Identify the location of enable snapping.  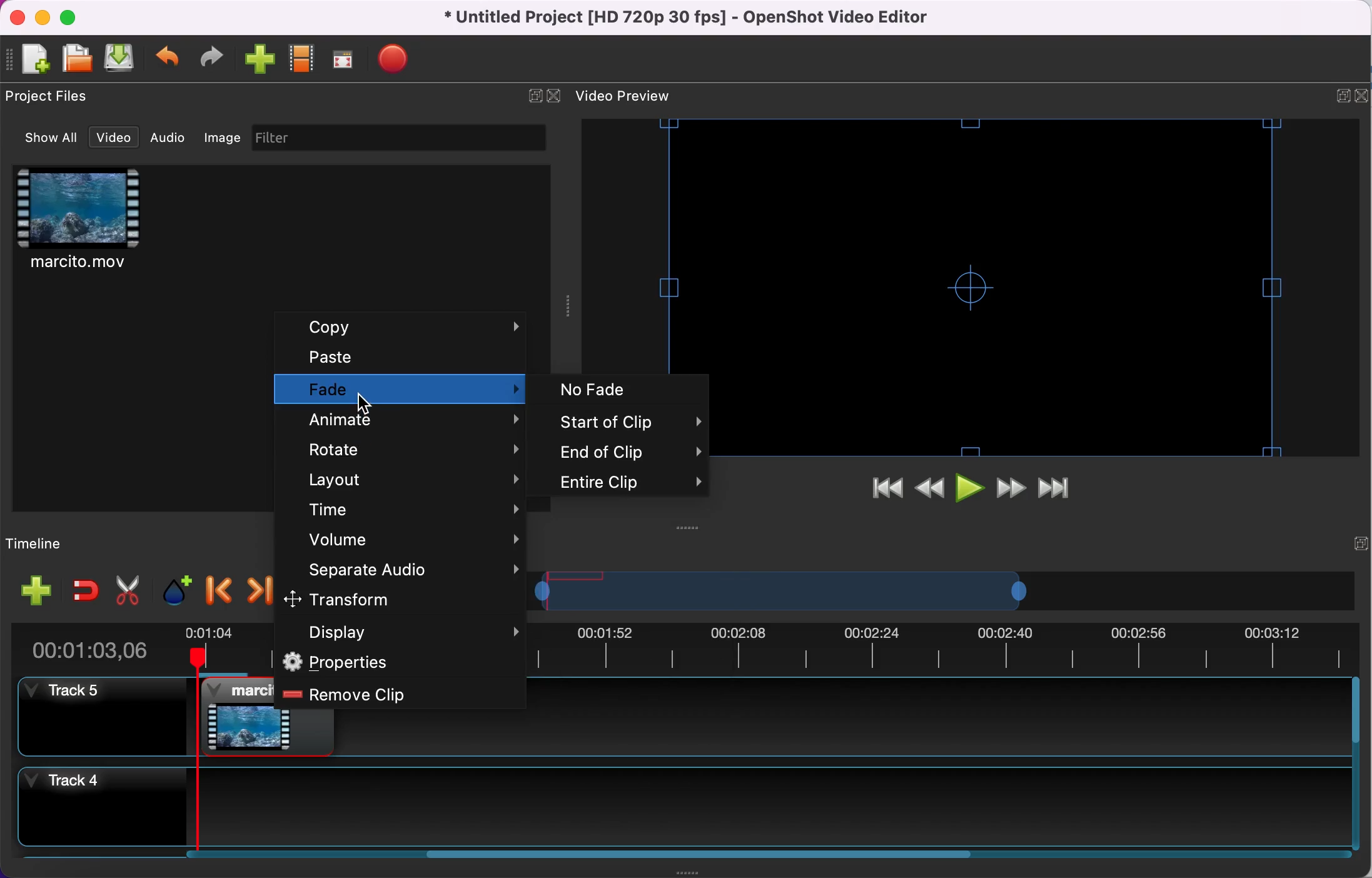
(80, 589).